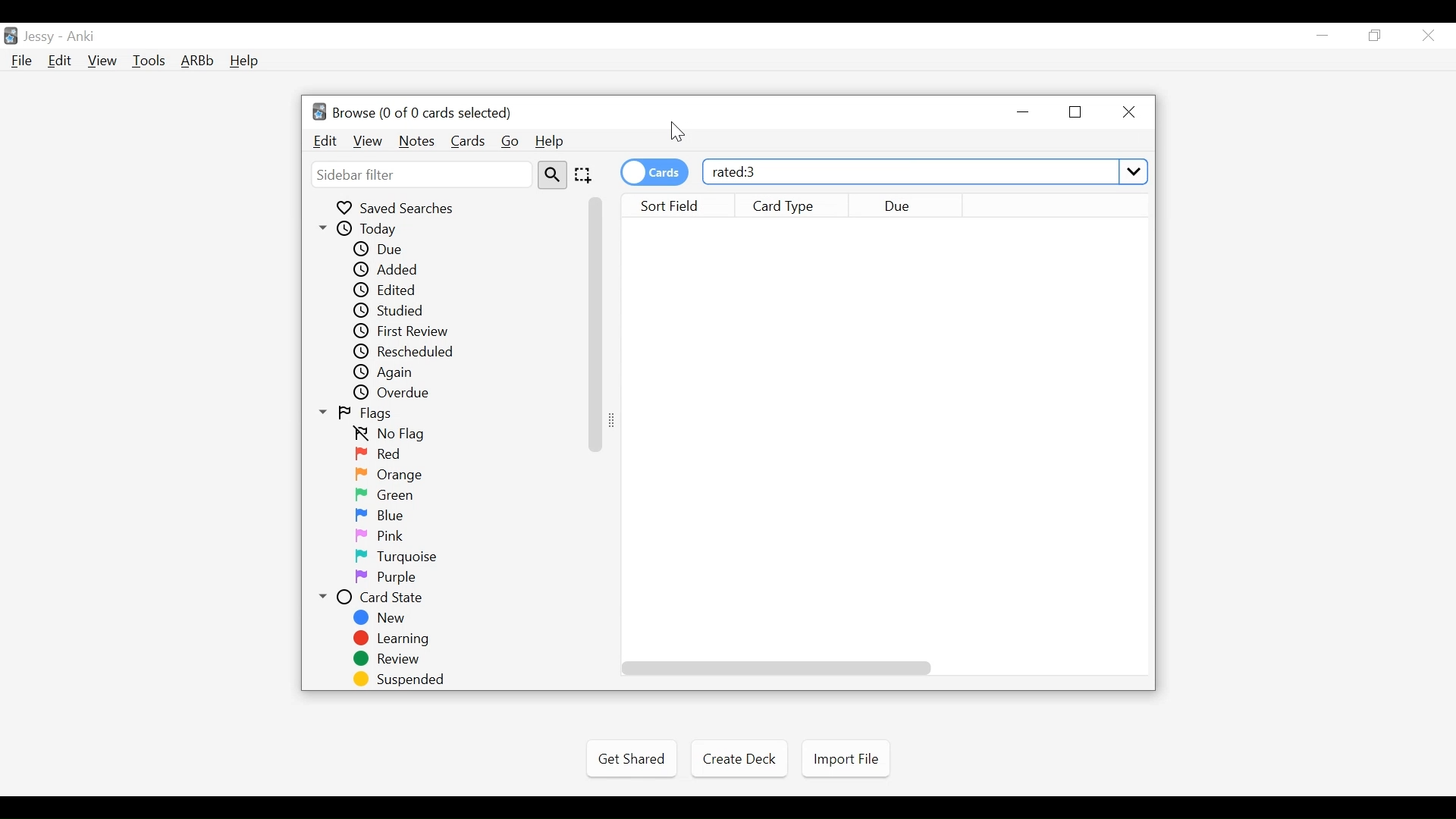 This screenshot has height=819, width=1456. Describe the element at coordinates (368, 142) in the screenshot. I see `View` at that location.